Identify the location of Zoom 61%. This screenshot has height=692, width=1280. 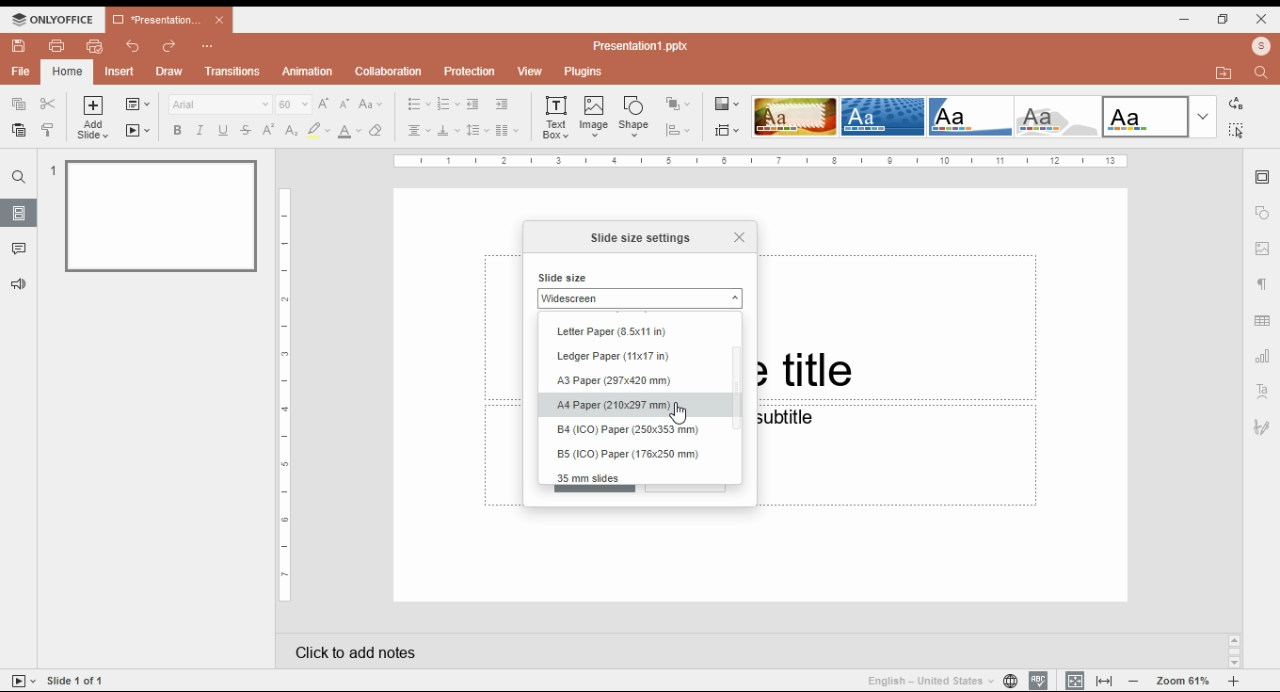
(1185, 679).